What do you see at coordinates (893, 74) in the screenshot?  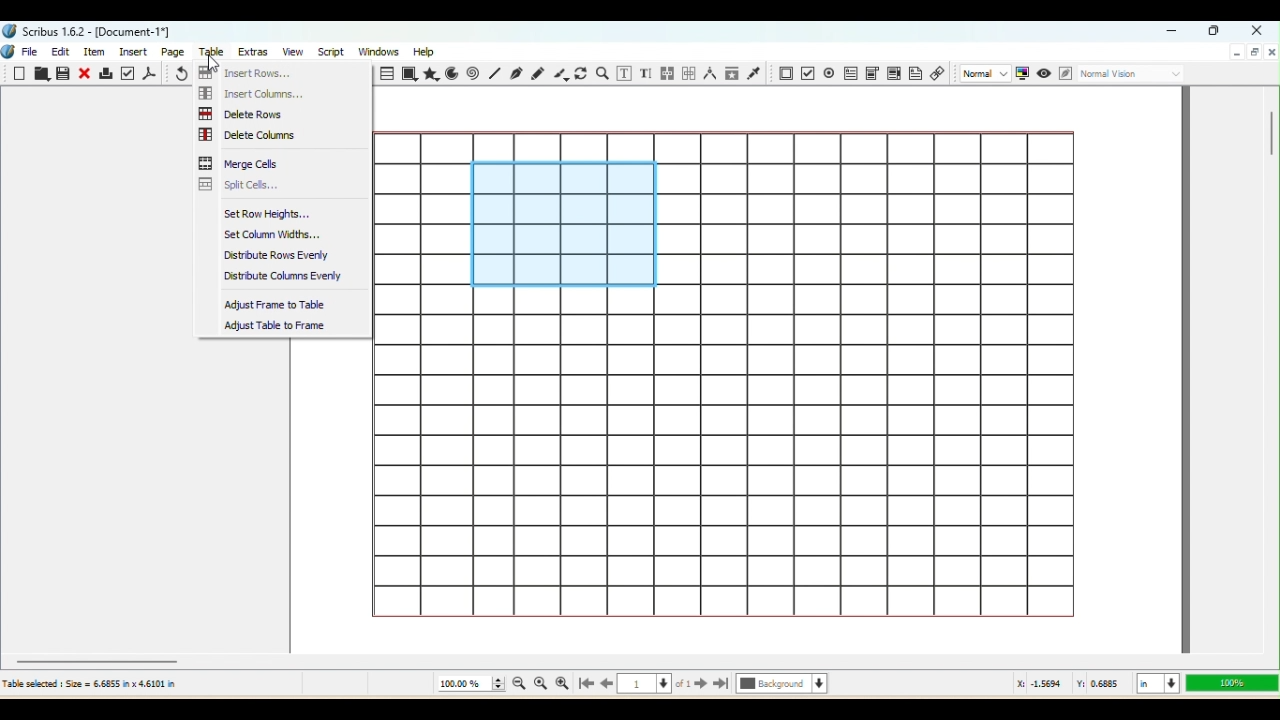 I see `PDF list box` at bounding box center [893, 74].